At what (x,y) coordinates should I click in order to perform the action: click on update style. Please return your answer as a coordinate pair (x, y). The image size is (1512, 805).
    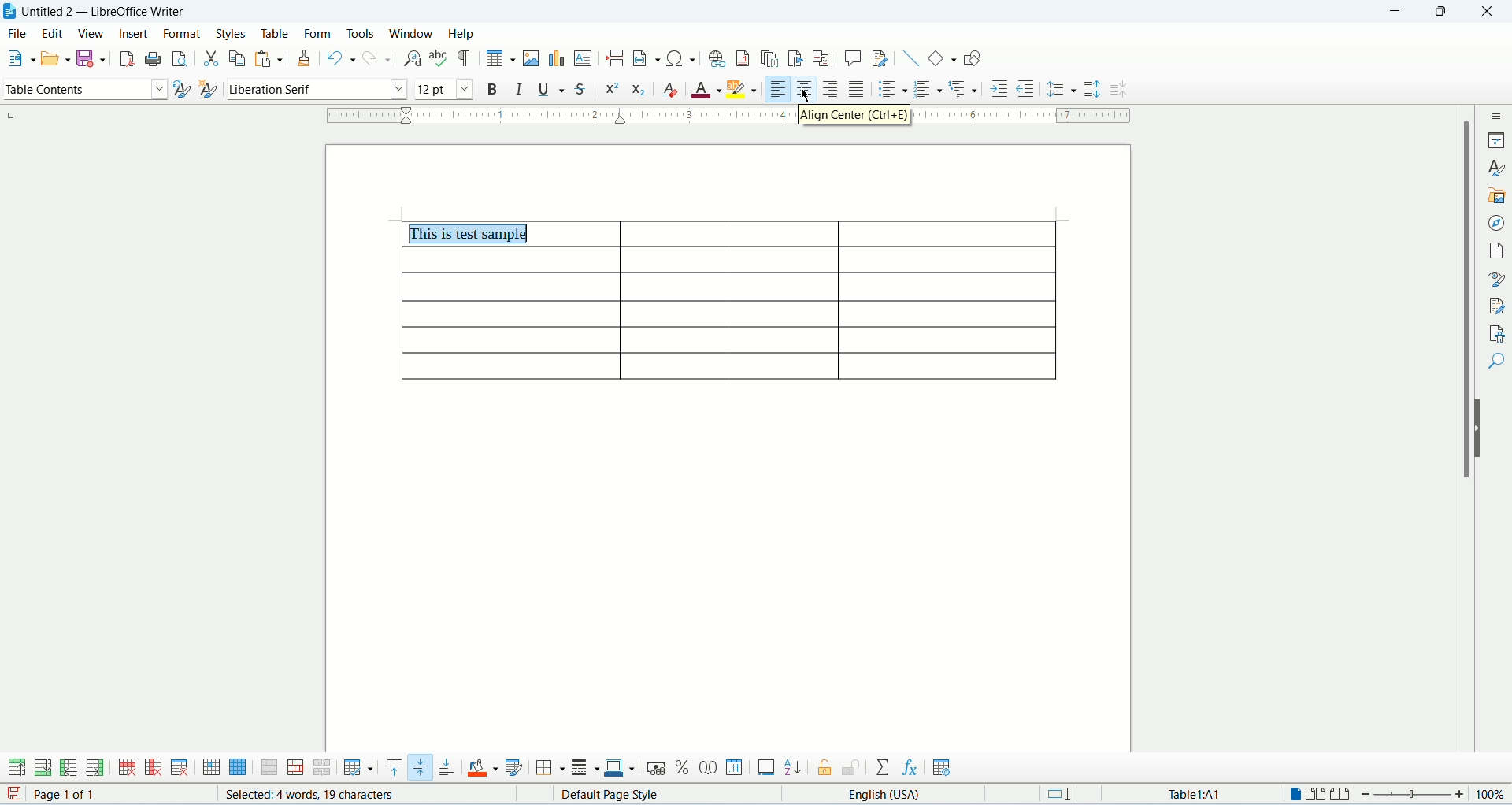
    Looking at the image, I should click on (181, 91).